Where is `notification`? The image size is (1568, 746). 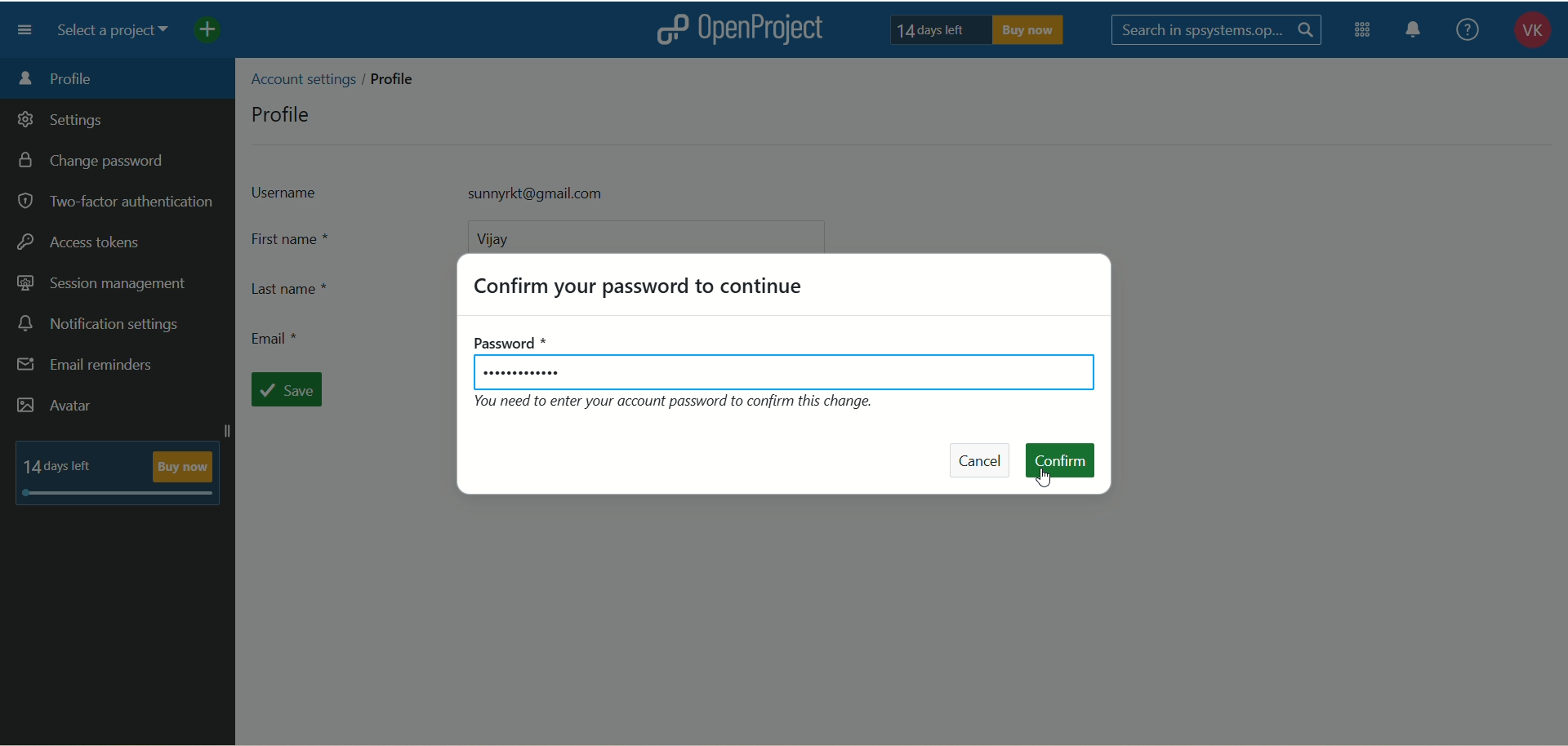 notification is located at coordinates (1419, 33).